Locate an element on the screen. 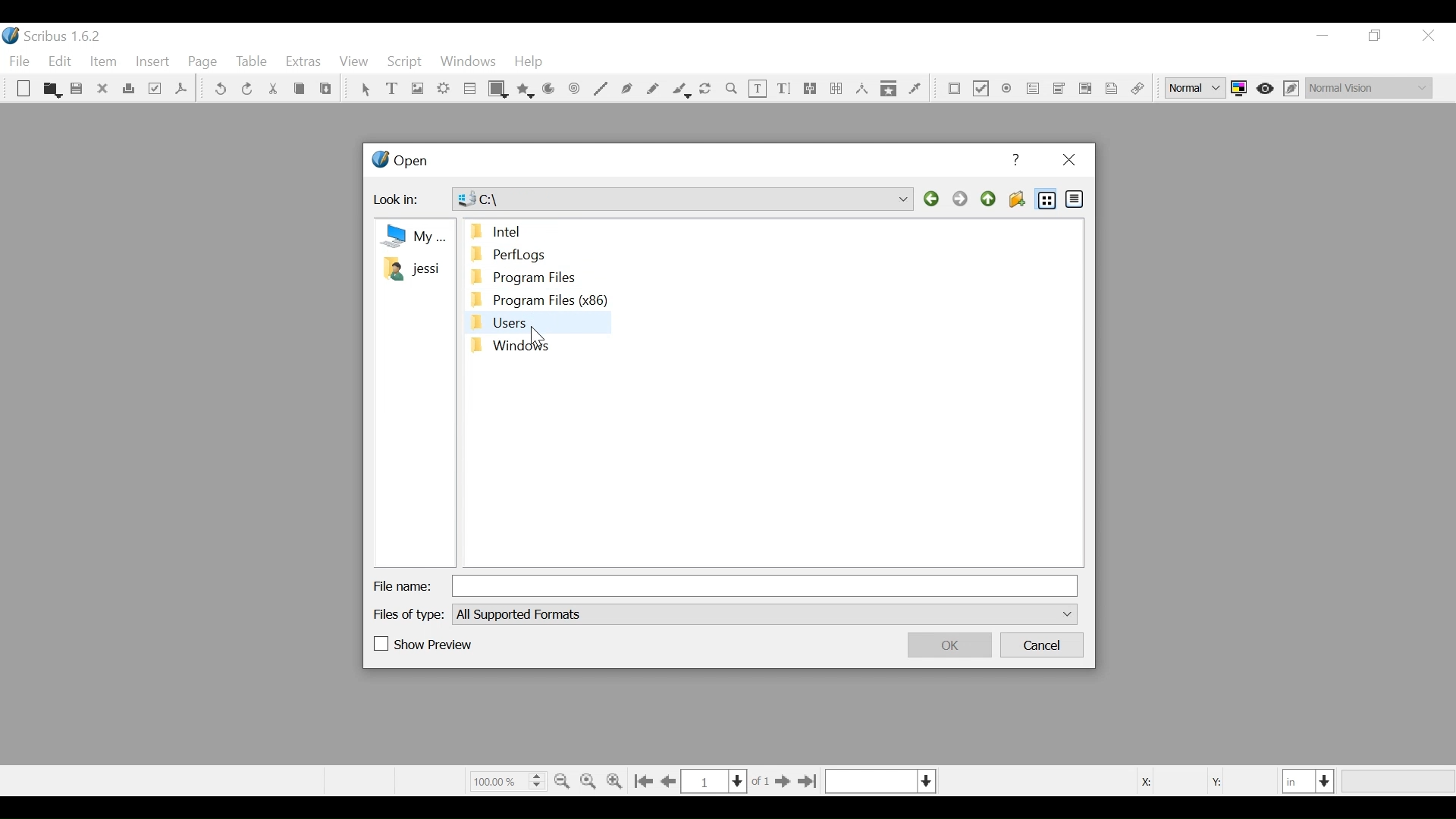 The image size is (1456, 819). Line is located at coordinates (600, 89).